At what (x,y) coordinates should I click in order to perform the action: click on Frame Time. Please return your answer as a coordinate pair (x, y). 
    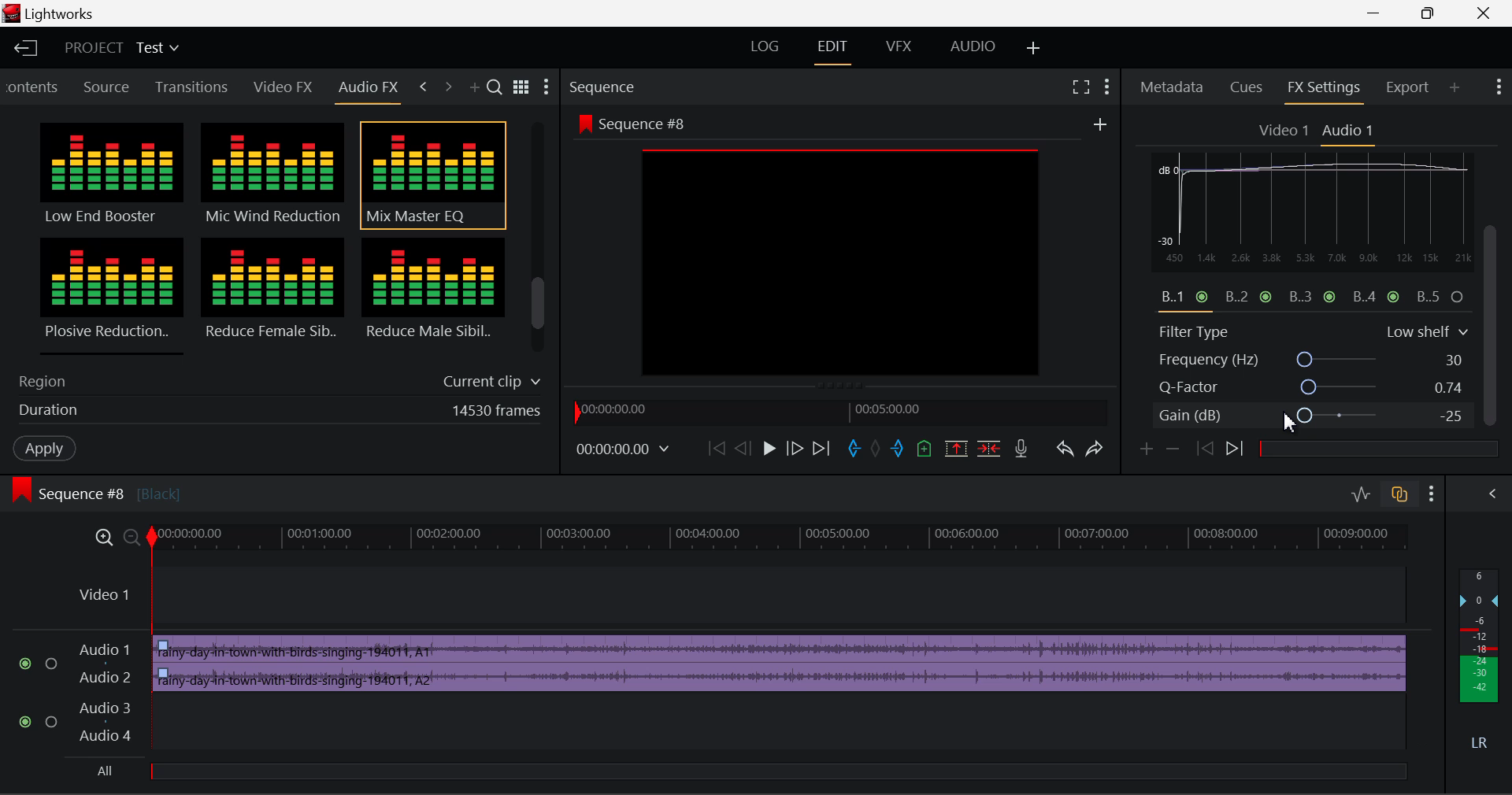
    Looking at the image, I should click on (621, 449).